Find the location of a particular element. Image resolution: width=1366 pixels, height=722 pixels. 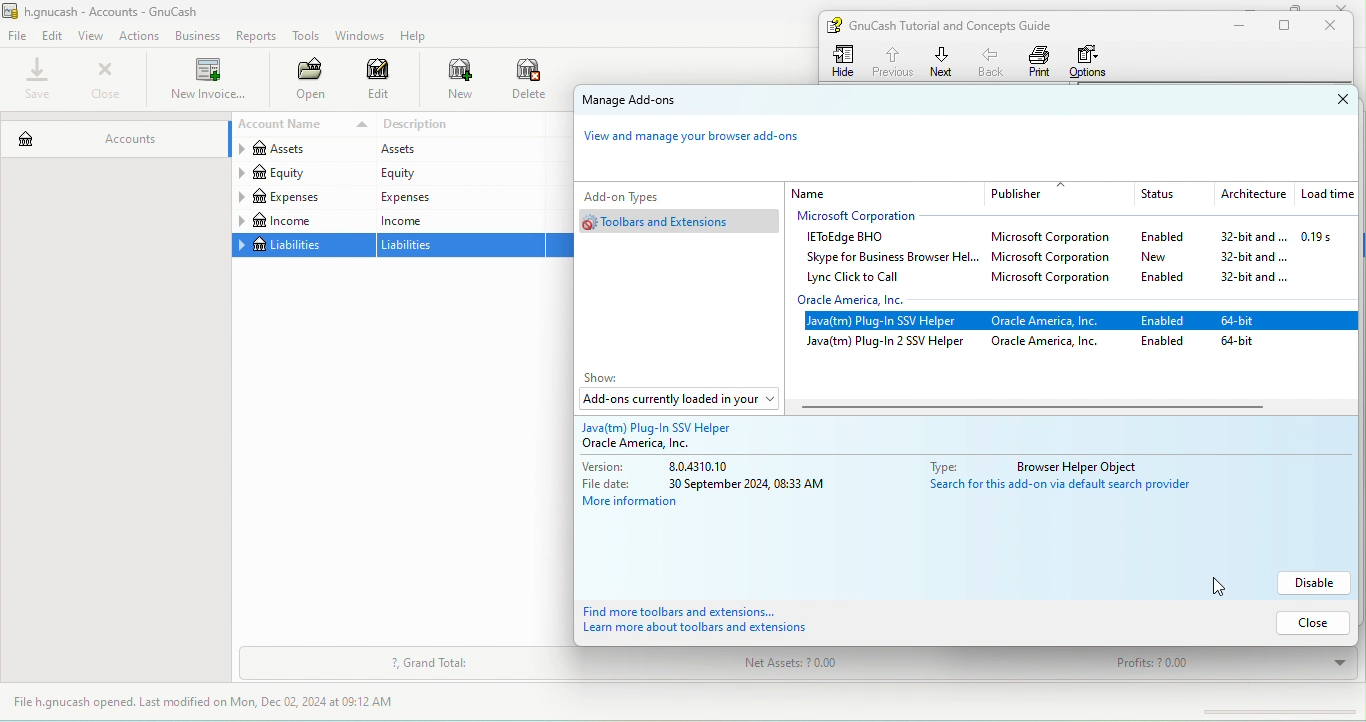

edit is located at coordinates (54, 35).